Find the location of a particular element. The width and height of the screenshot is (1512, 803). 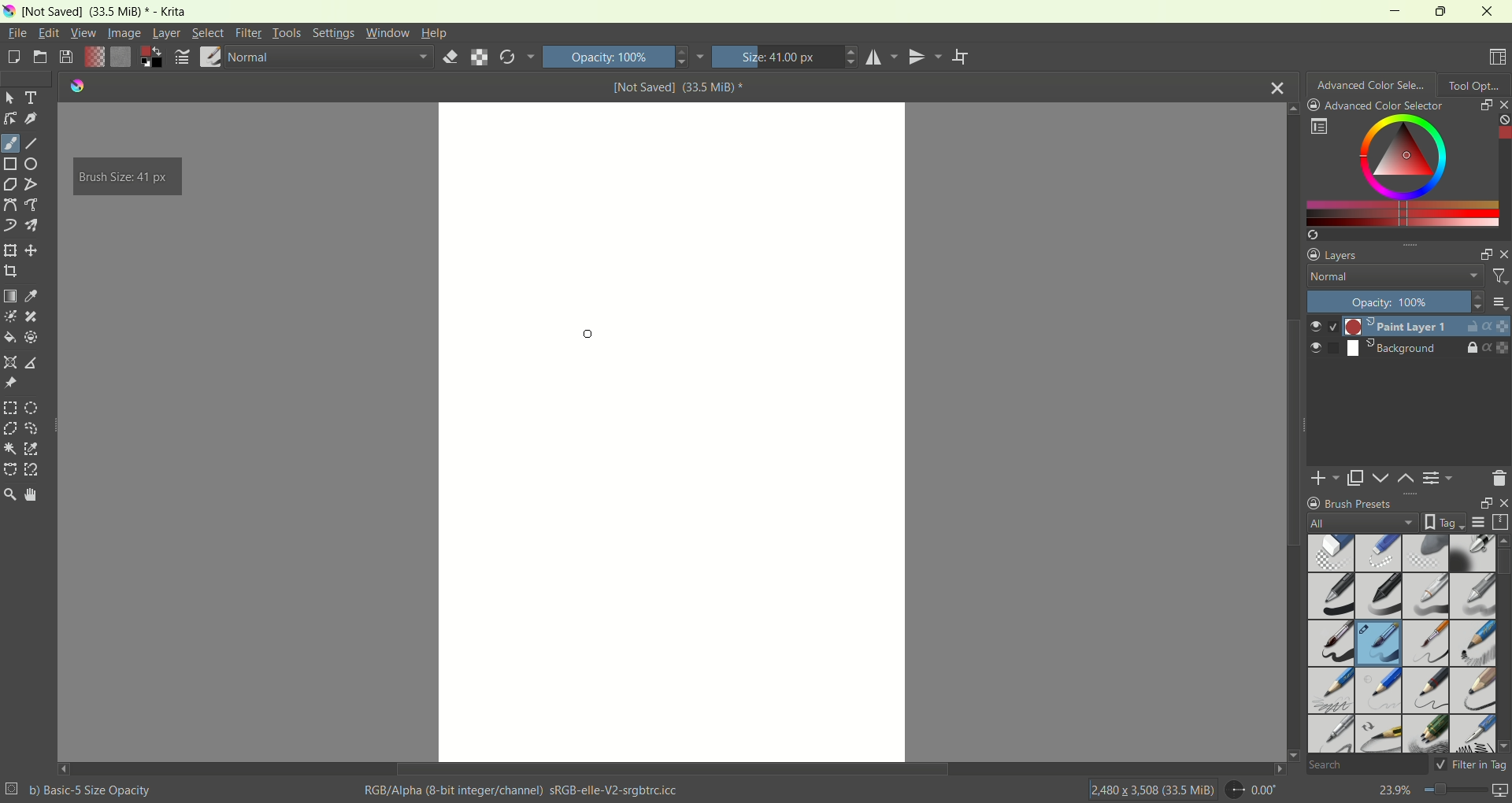

maximize is located at coordinates (1438, 11).